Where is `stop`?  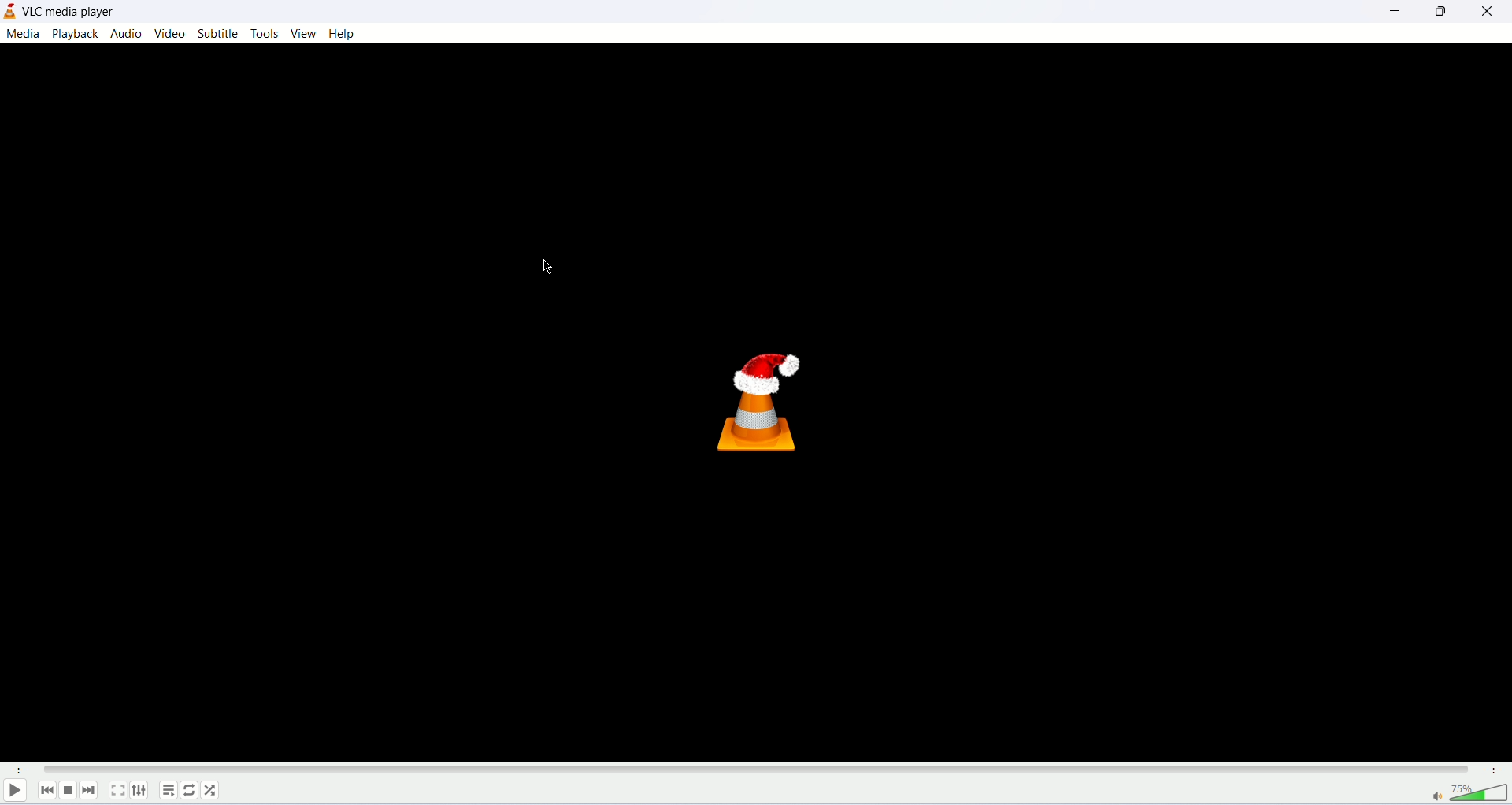
stop is located at coordinates (68, 791).